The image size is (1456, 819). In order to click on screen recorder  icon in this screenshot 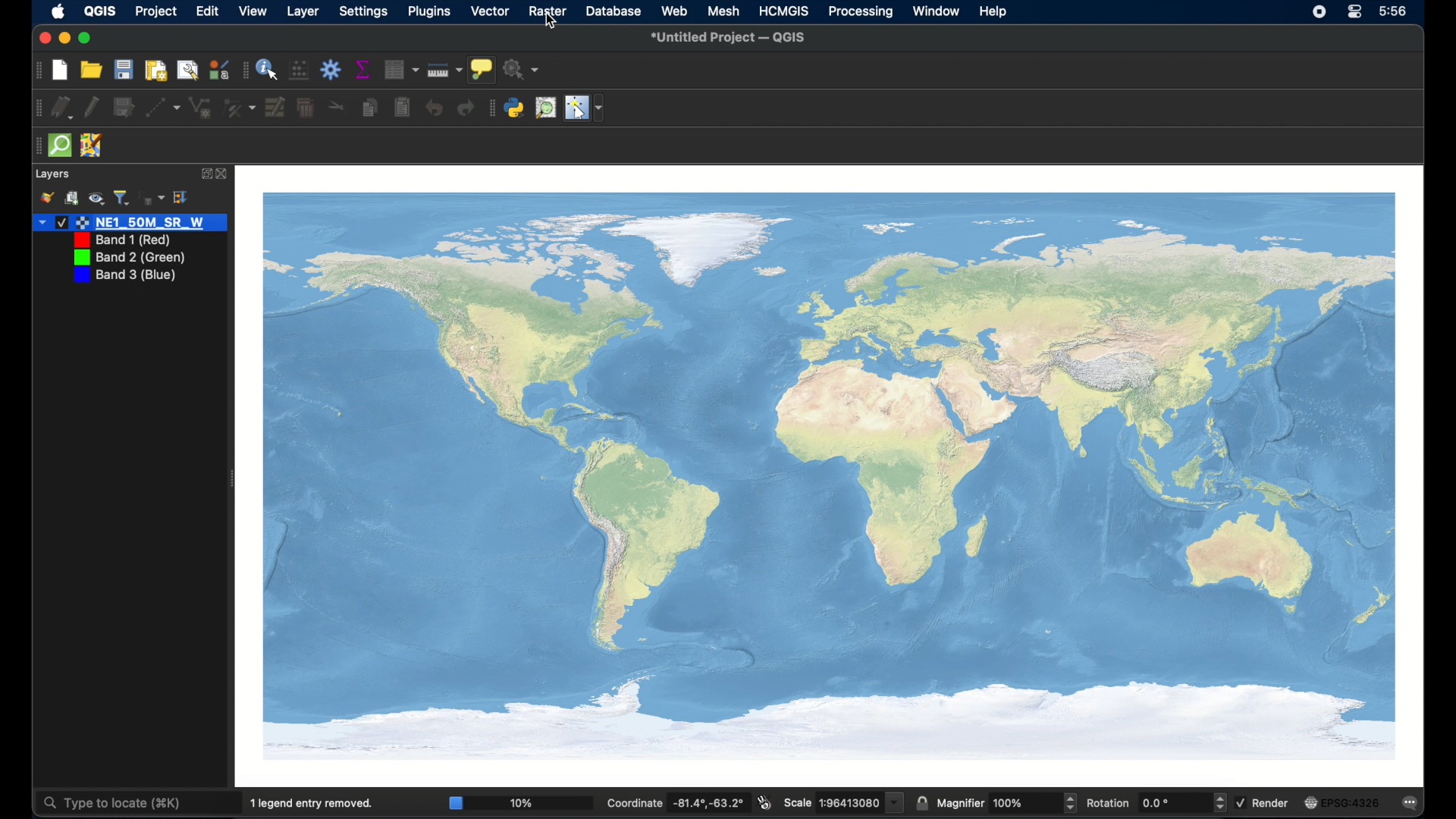, I will do `click(1319, 13)`.